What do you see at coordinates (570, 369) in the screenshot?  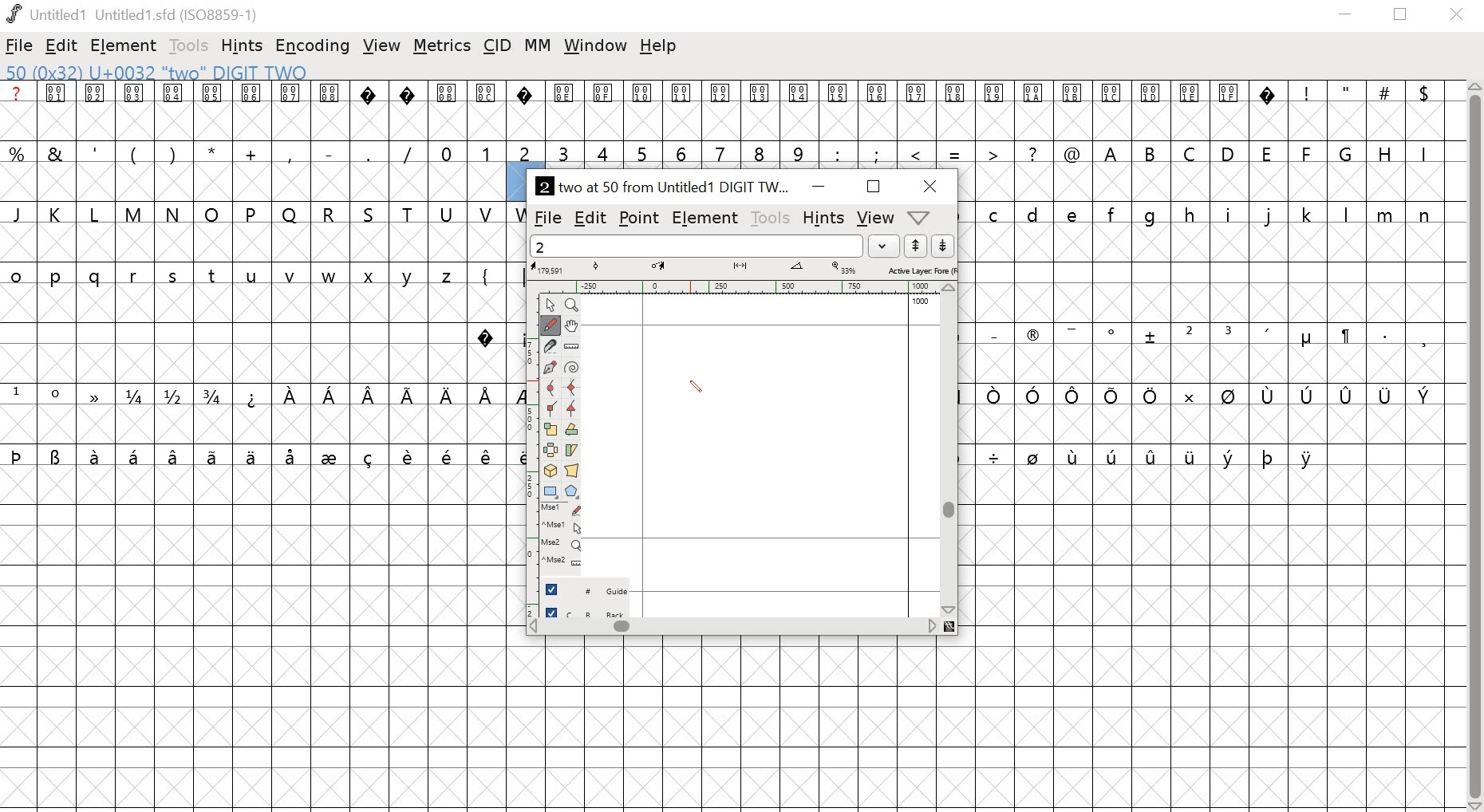 I see `spiro` at bounding box center [570, 369].